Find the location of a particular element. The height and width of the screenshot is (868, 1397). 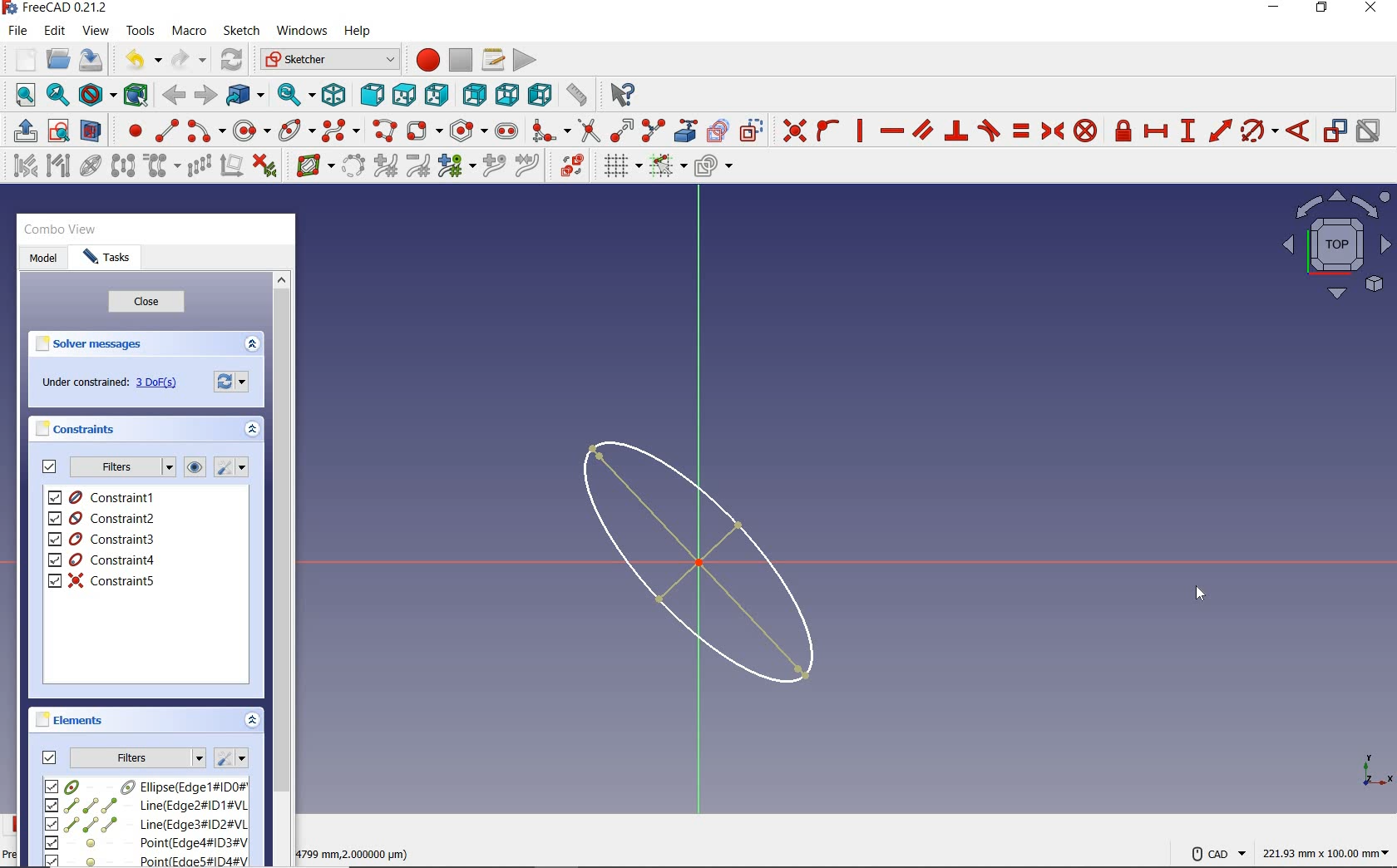

sketch view is located at coordinates (1334, 244).